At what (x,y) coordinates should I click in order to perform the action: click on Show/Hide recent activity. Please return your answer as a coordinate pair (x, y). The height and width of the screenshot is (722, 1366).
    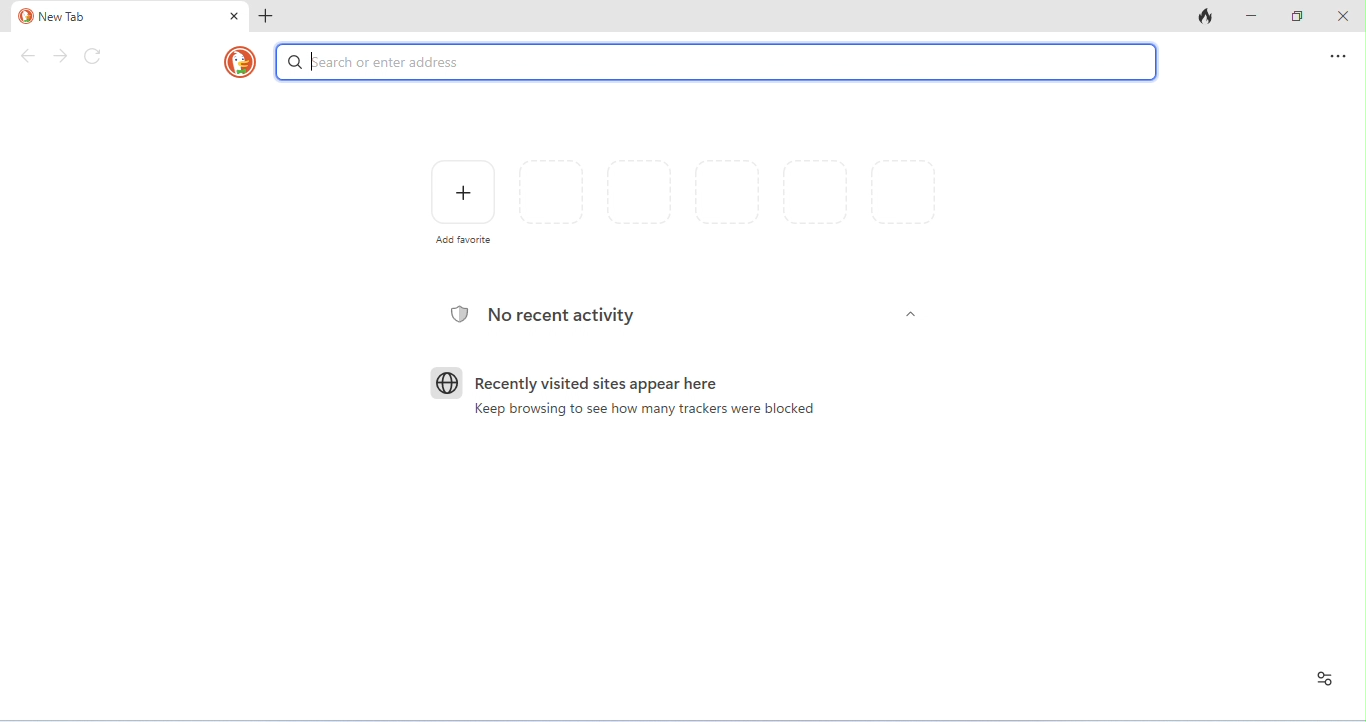
    Looking at the image, I should click on (911, 314).